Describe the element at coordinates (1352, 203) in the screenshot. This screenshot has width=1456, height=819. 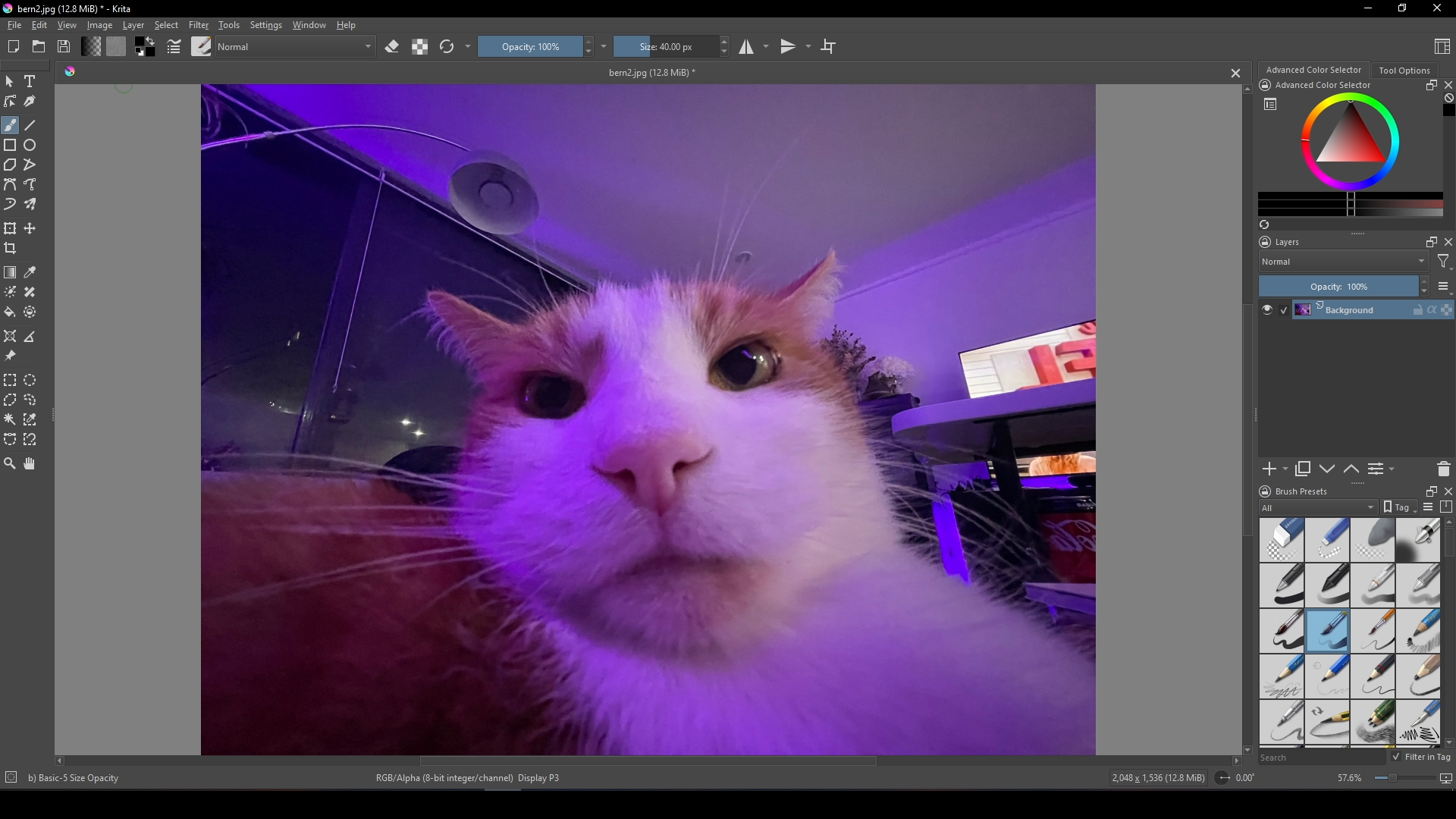
I see `Color gradient` at that location.